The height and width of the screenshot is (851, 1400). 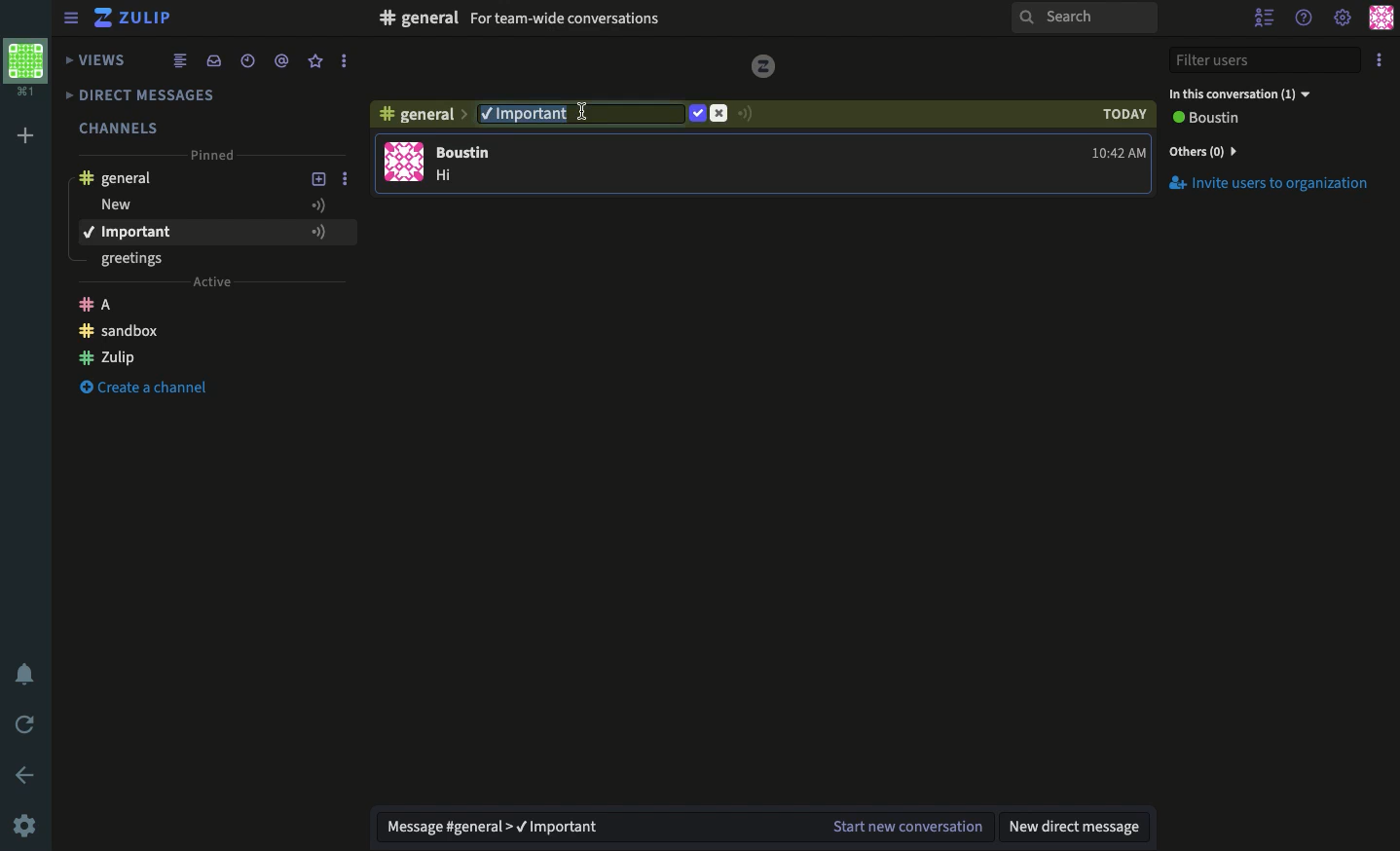 I want to click on Invites users to organization, so click(x=1271, y=150).